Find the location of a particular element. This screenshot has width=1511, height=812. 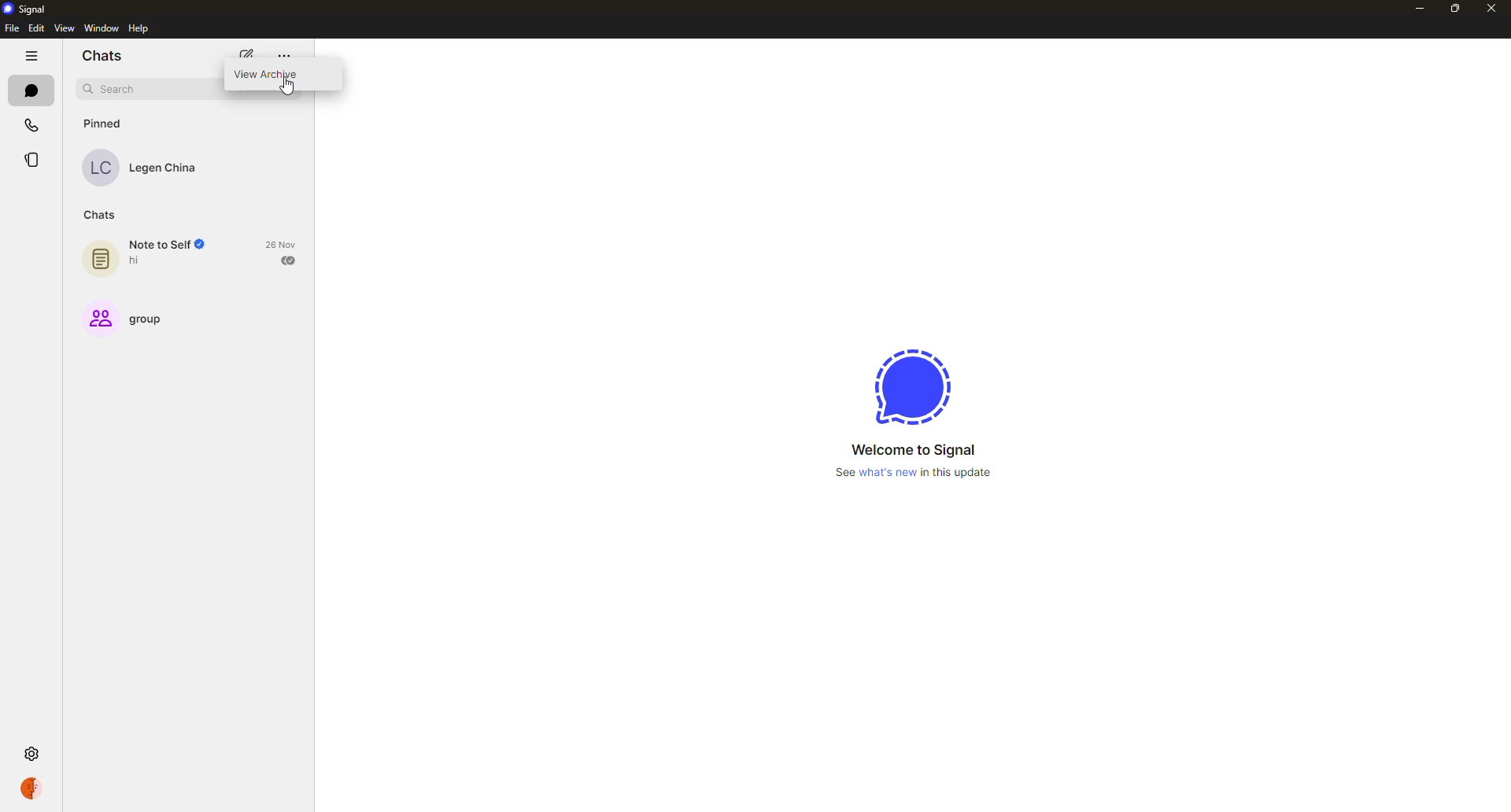

group is located at coordinates (133, 319).